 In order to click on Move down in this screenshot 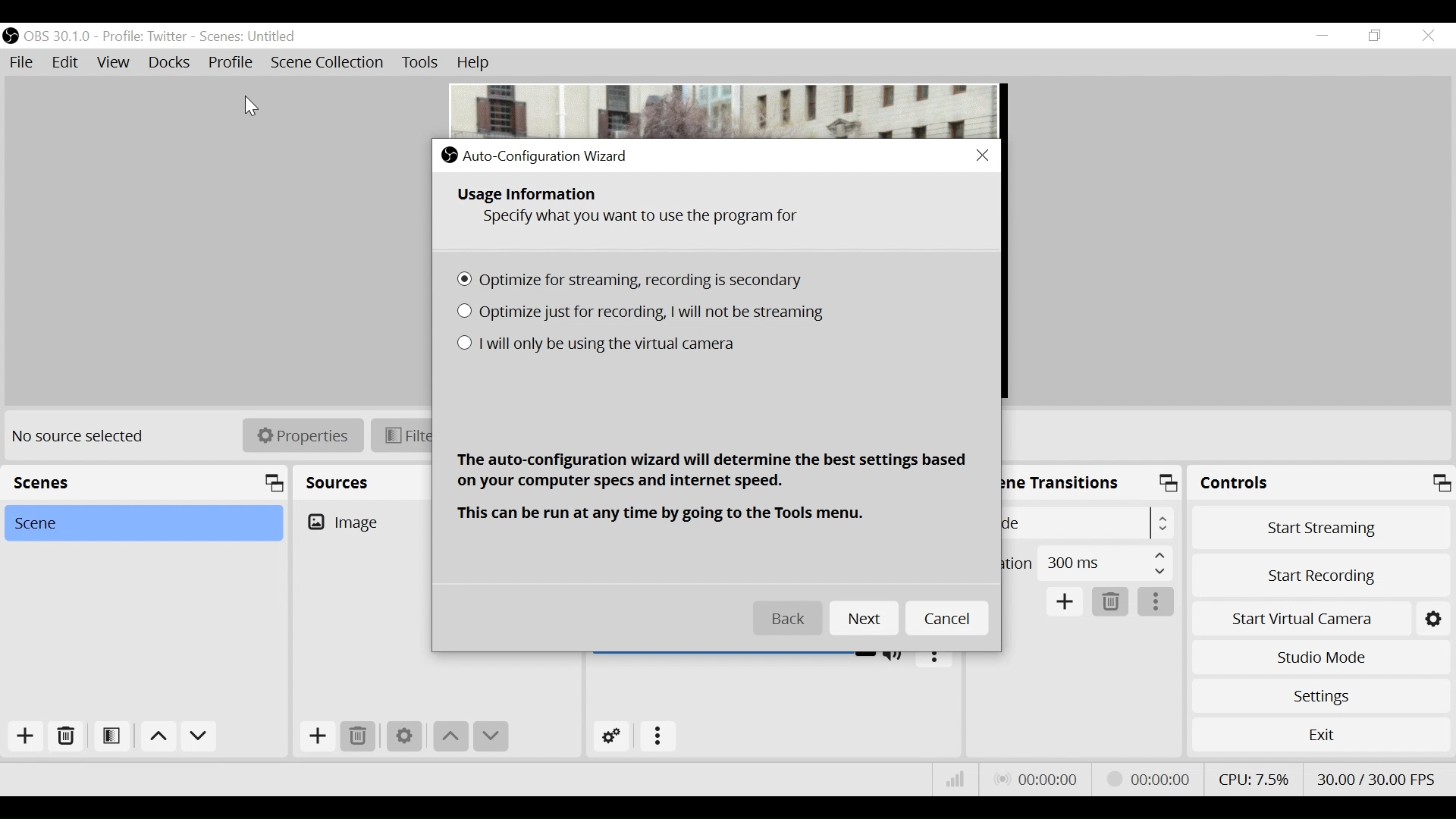, I will do `click(491, 736)`.